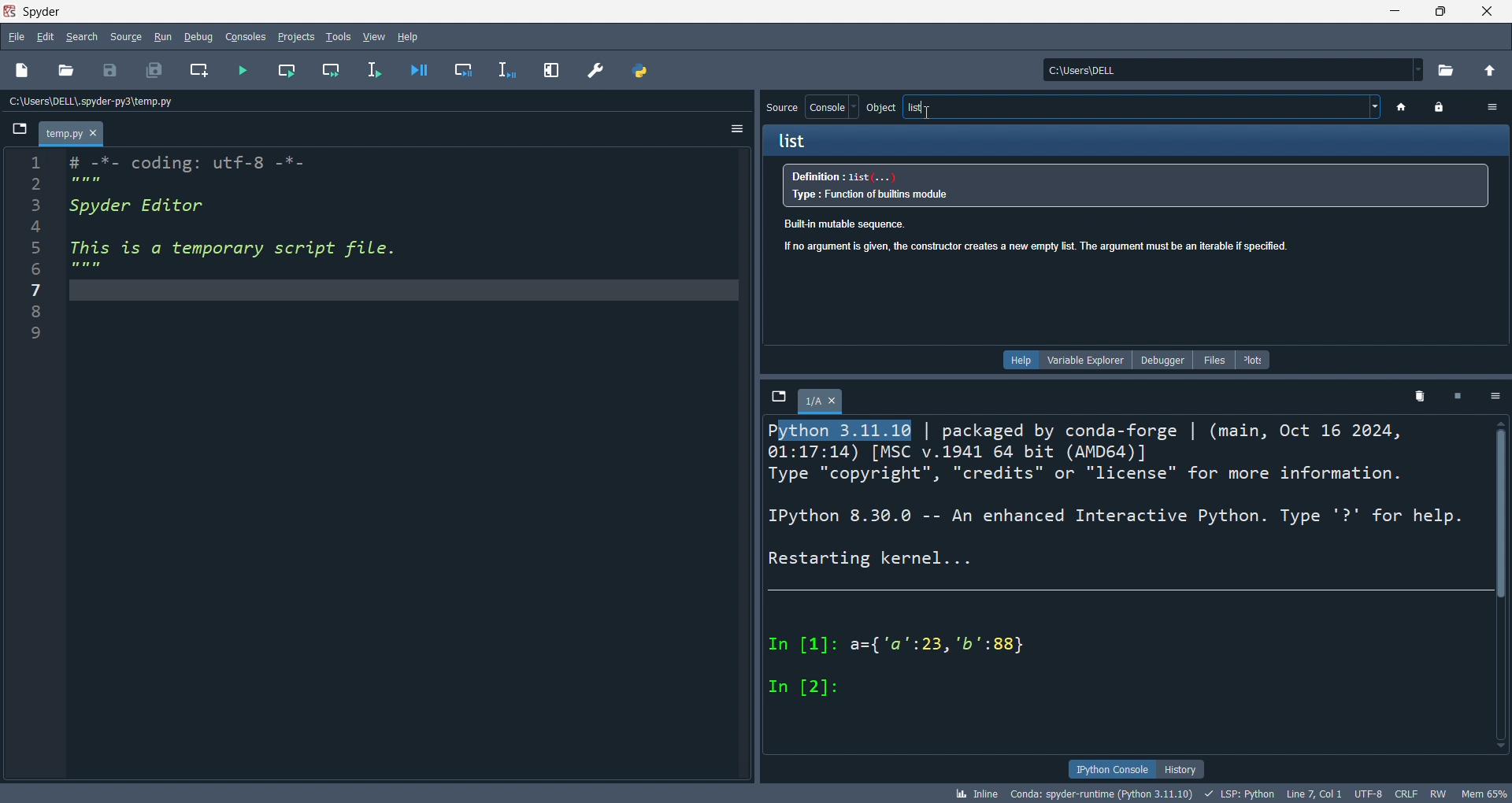 The height and width of the screenshot is (803, 1512). What do you see at coordinates (1224, 72) in the screenshot?
I see `current directory: c:\users\dell` at bounding box center [1224, 72].